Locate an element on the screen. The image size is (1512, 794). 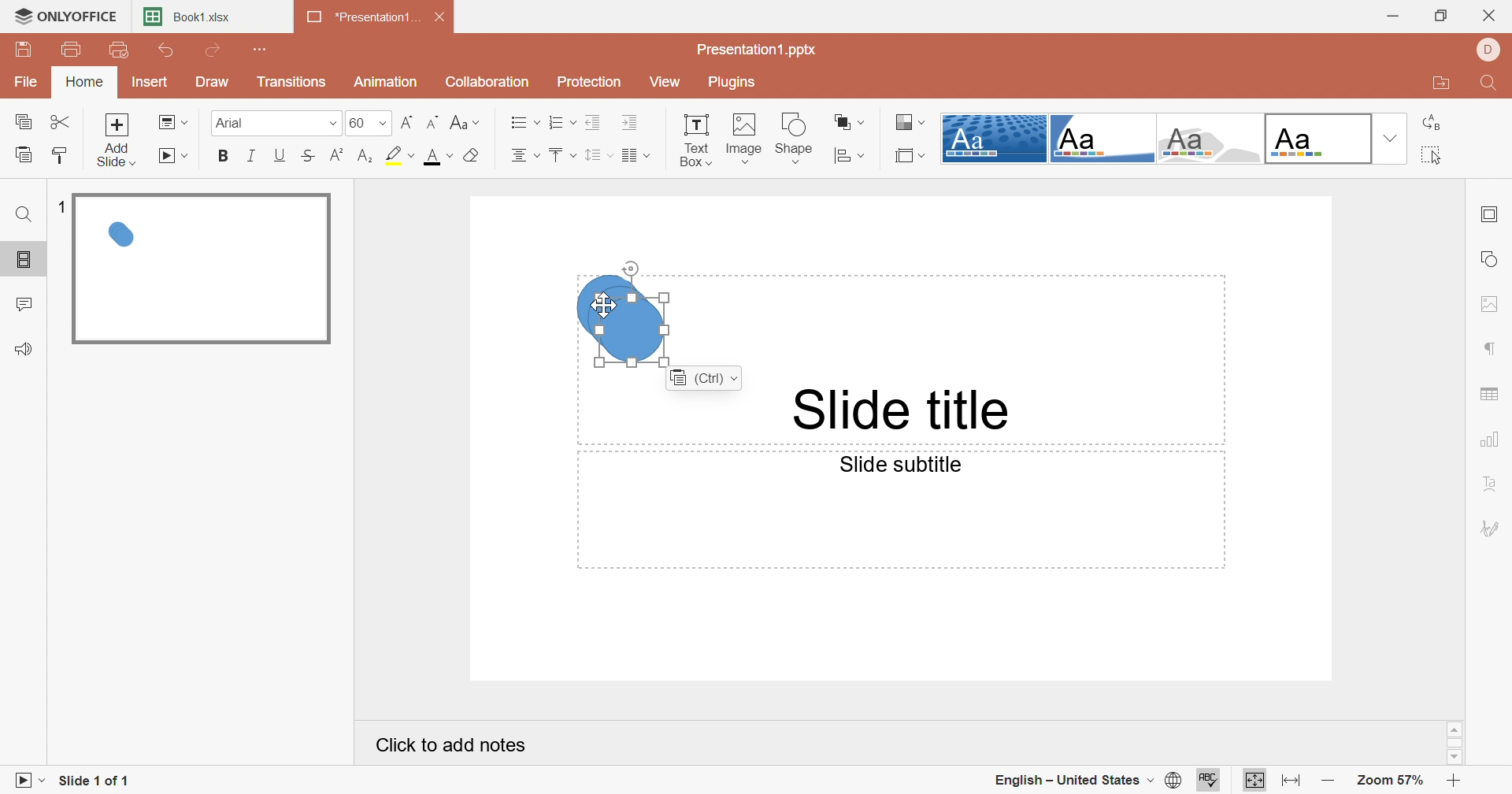
Font size is located at coordinates (369, 122).